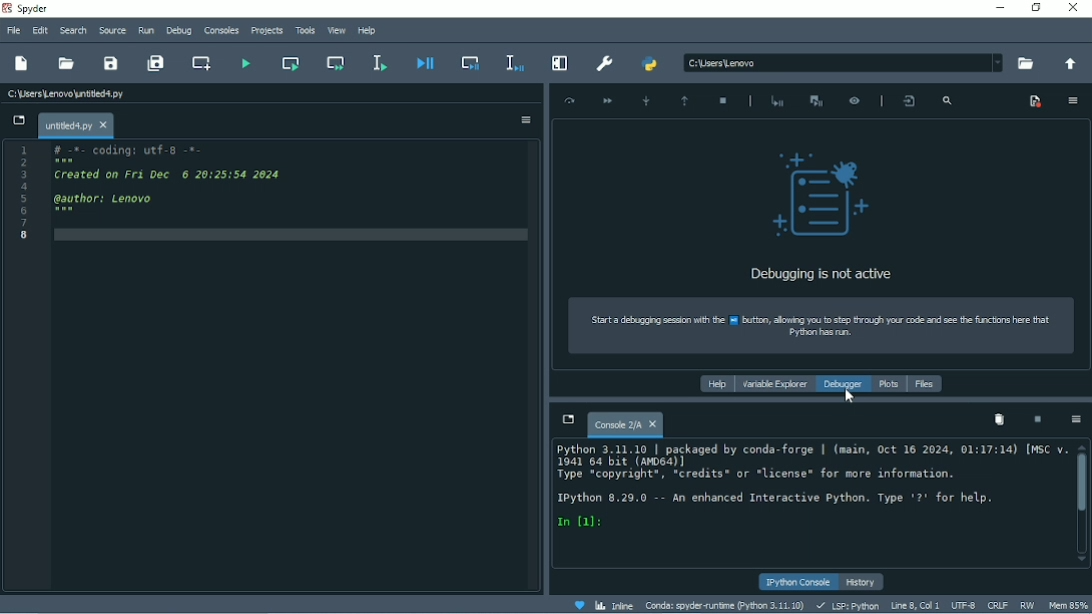 The image size is (1092, 614). I want to click on Inspect execution, so click(856, 101).